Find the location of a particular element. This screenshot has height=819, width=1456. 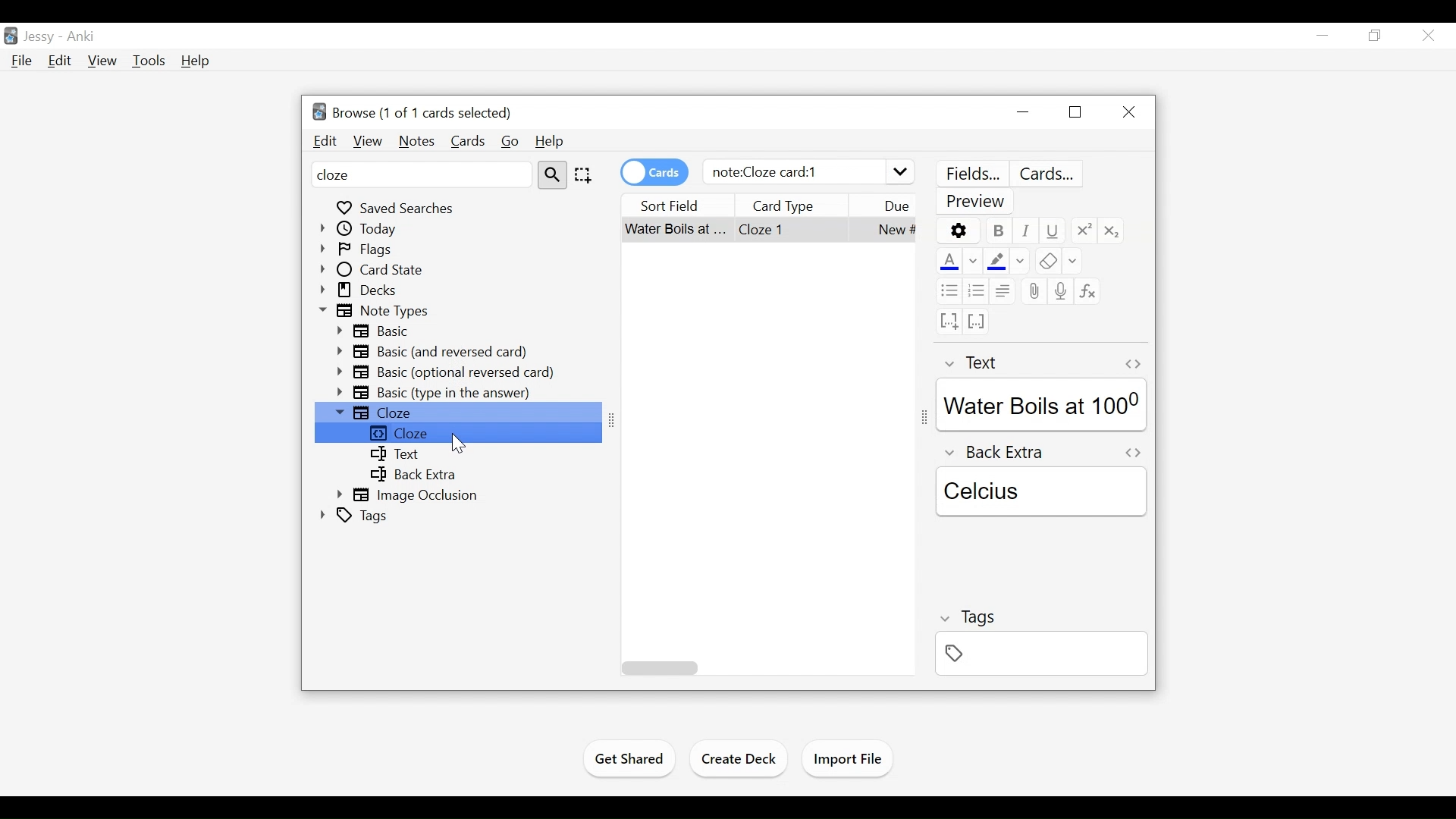

Card Type is located at coordinates (791, 230).